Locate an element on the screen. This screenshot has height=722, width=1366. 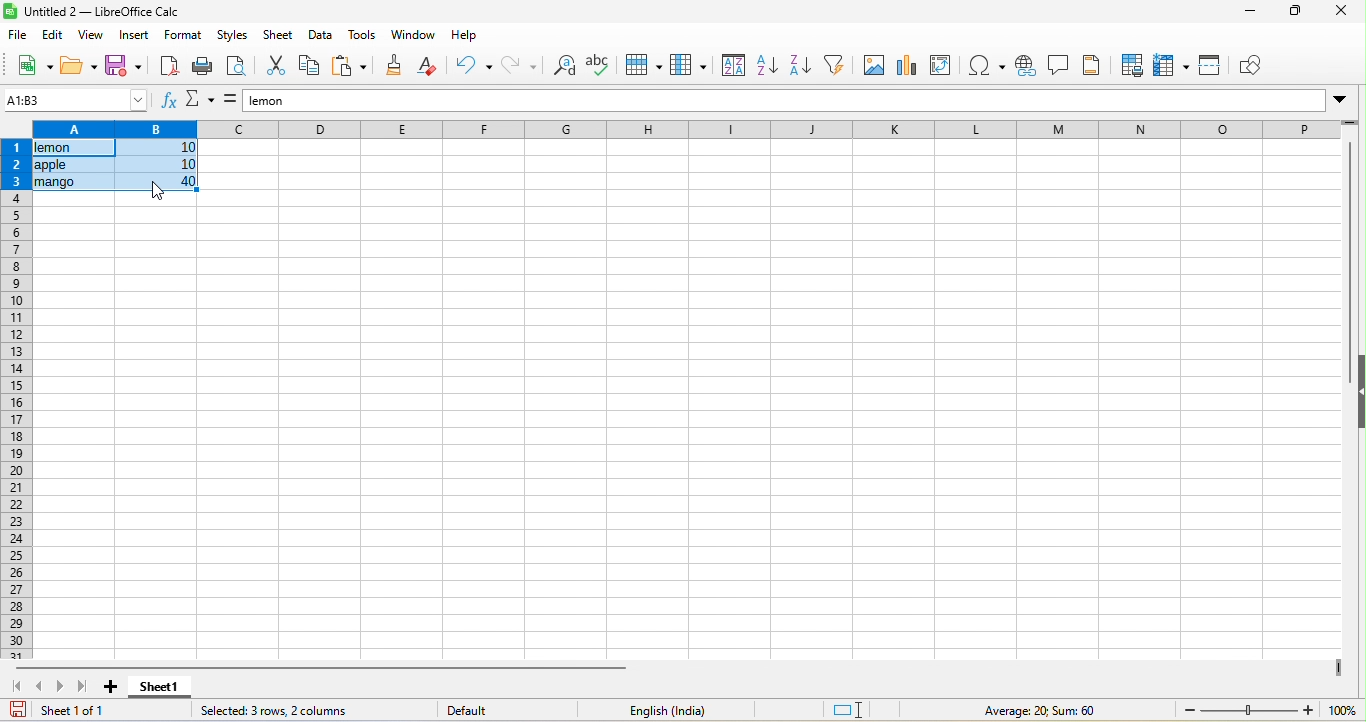
export directly as pdf is located at coordinates (170, 66).